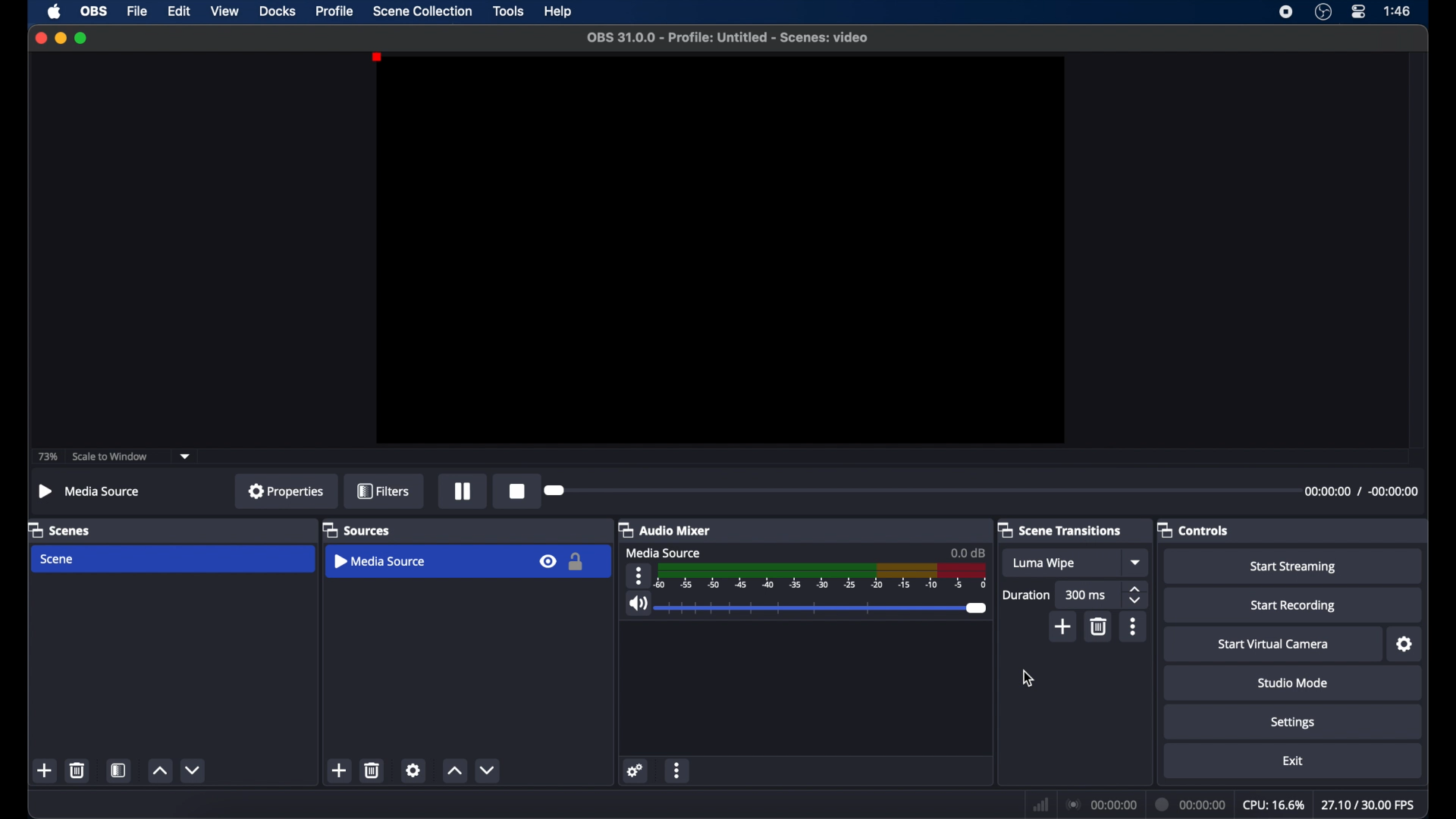 The image size is (1456, 819). What do you see at coordinates (384, 491) in the screenshot?
I see `filters` at bounding box center [384, 491].